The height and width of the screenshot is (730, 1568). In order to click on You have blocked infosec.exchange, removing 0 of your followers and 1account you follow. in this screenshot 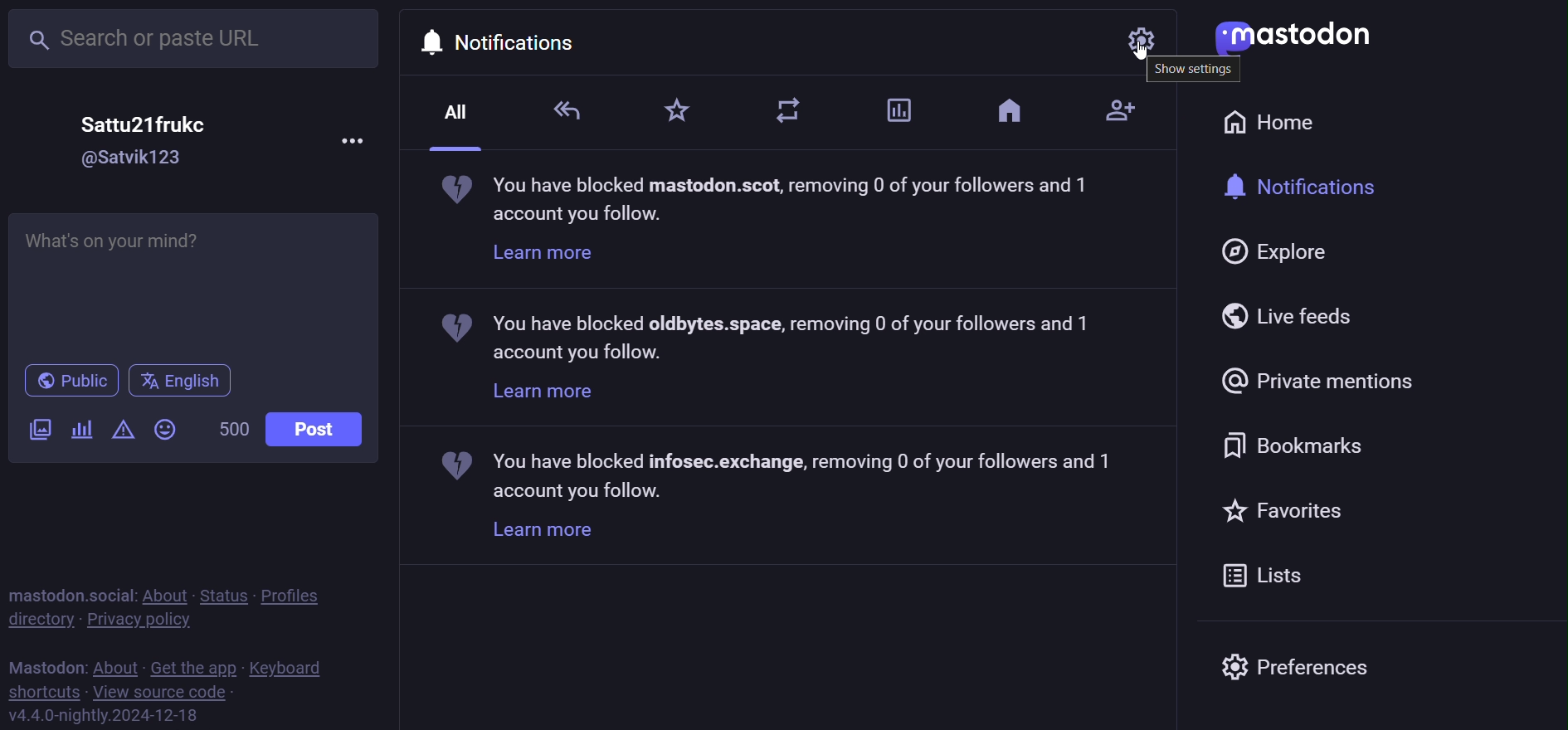, I will do `click(791, 474)`.